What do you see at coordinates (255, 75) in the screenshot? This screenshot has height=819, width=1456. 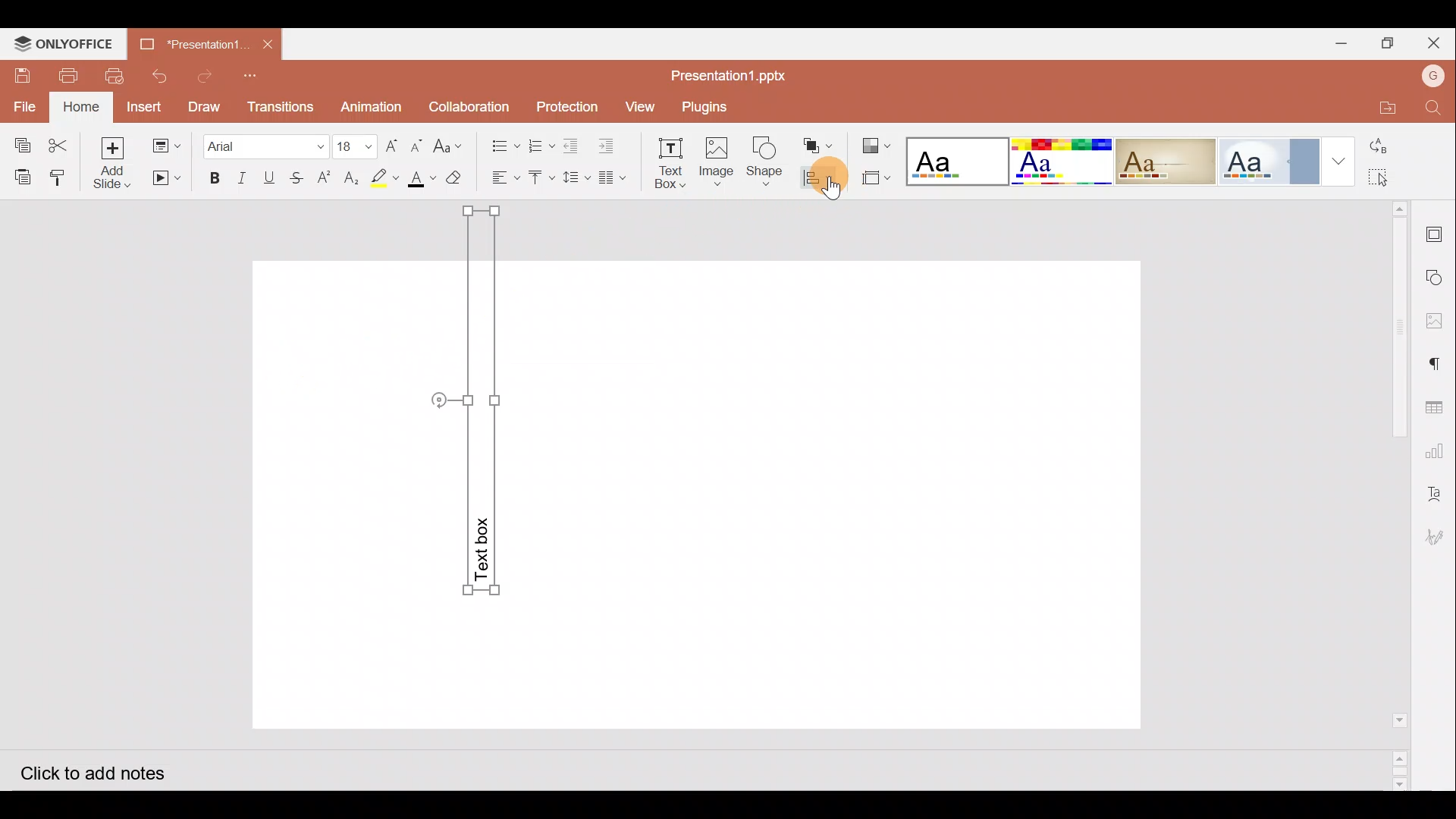 I see `Customize quick access` at bounding box center [255, 75].